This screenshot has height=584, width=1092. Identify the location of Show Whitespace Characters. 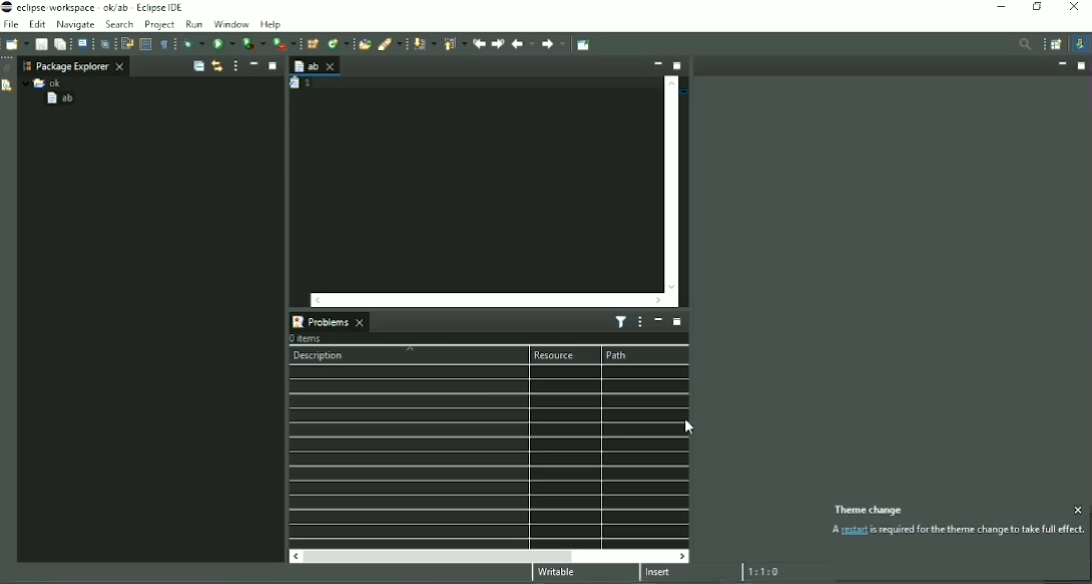
(164, 44).